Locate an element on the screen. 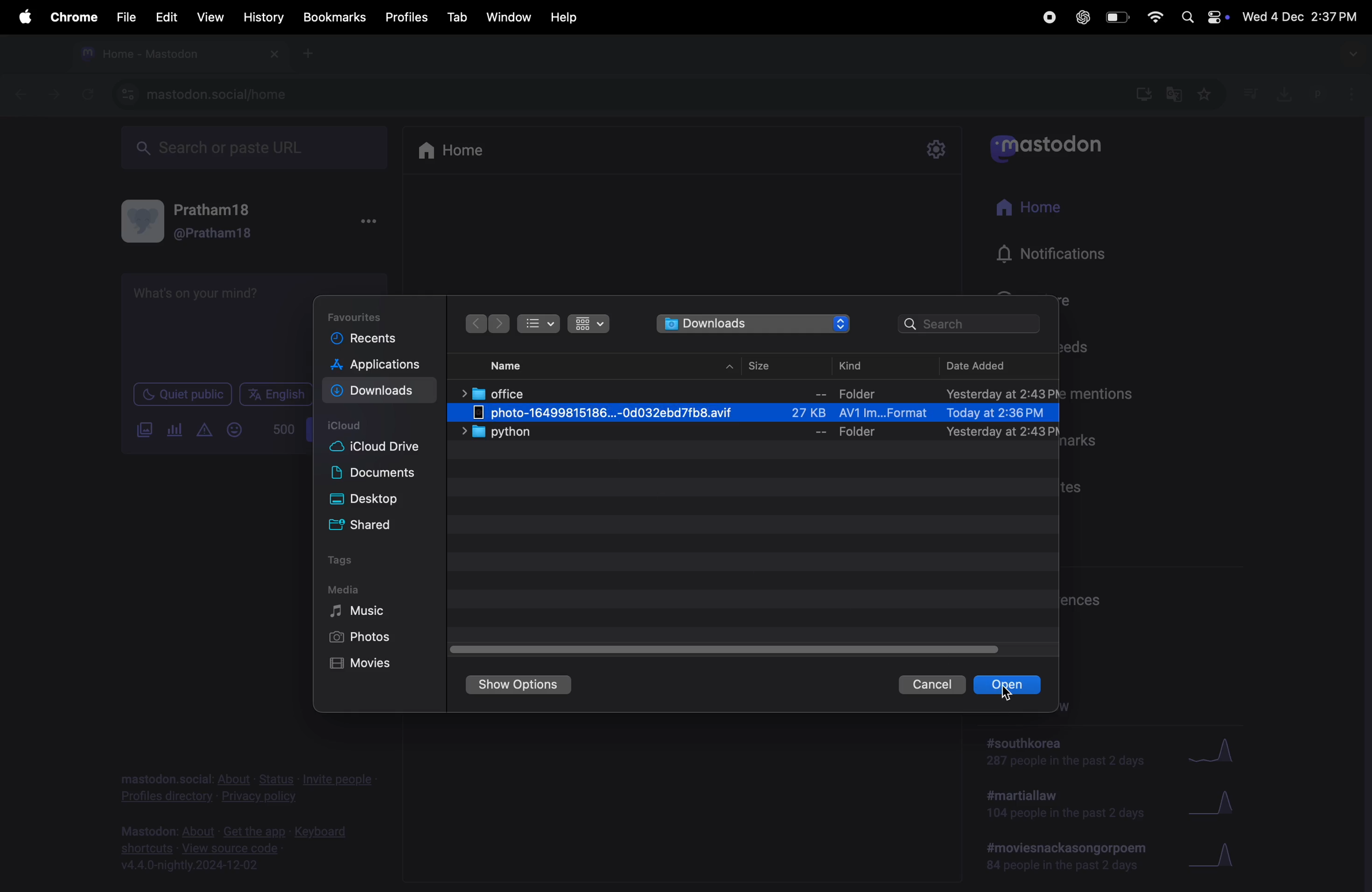 The width and height of the screenshot is (1372, 892). downloads is located at coordinates (1281, 93).